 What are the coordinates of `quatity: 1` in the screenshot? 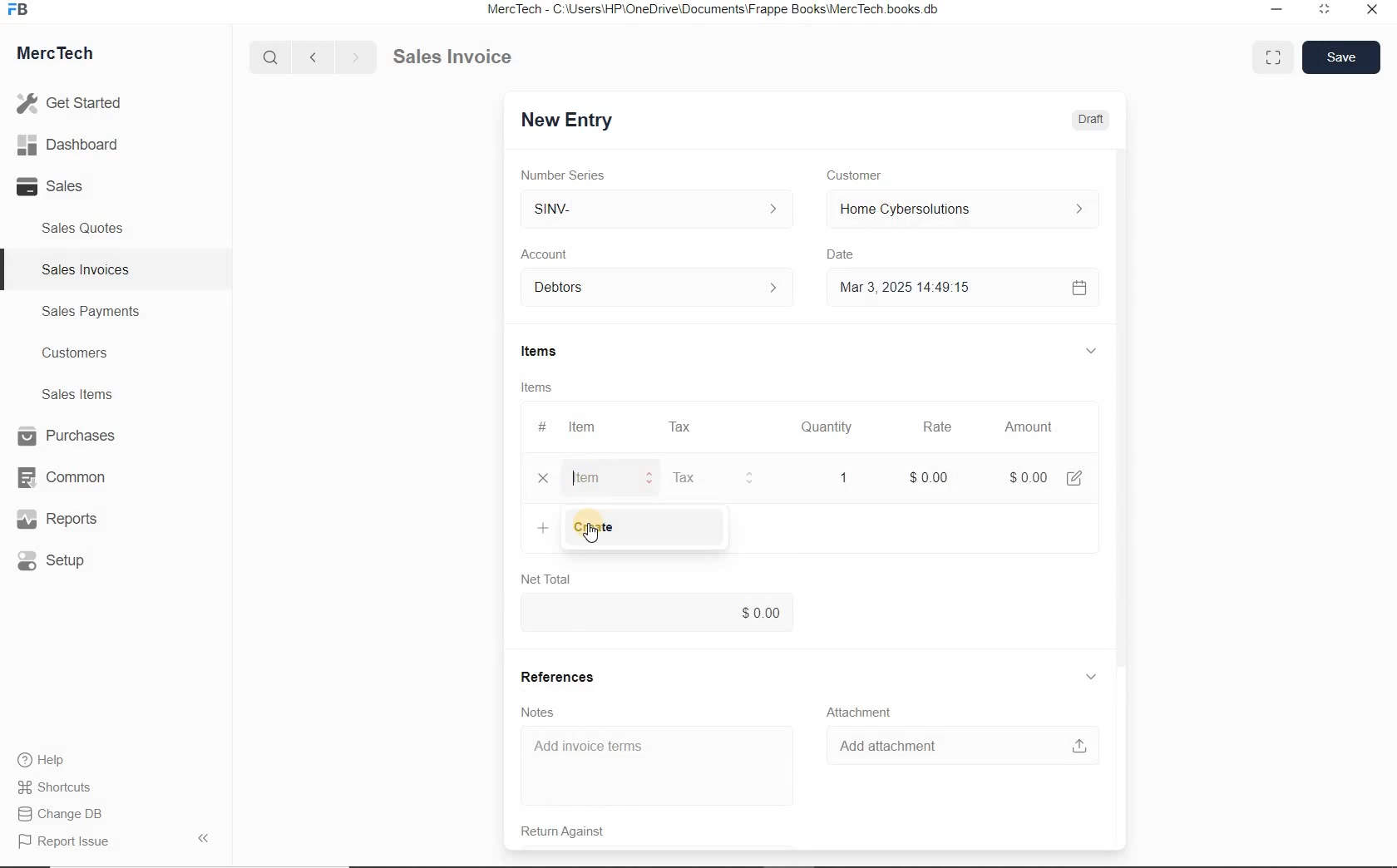 It's located at (840, 476).